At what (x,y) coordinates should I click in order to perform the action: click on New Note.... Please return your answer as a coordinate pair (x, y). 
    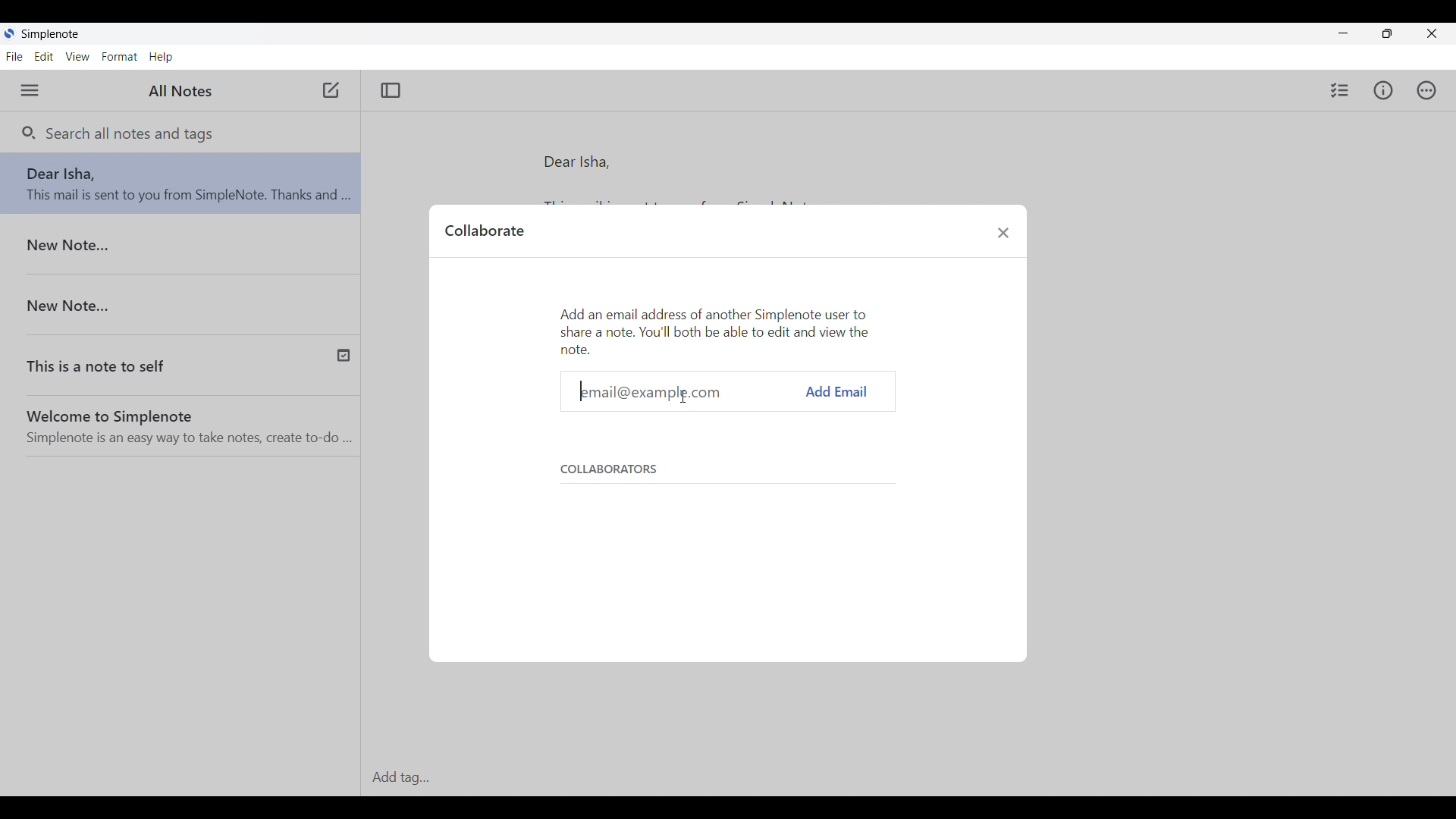
    Looking at the image, I should click on (185, 244).